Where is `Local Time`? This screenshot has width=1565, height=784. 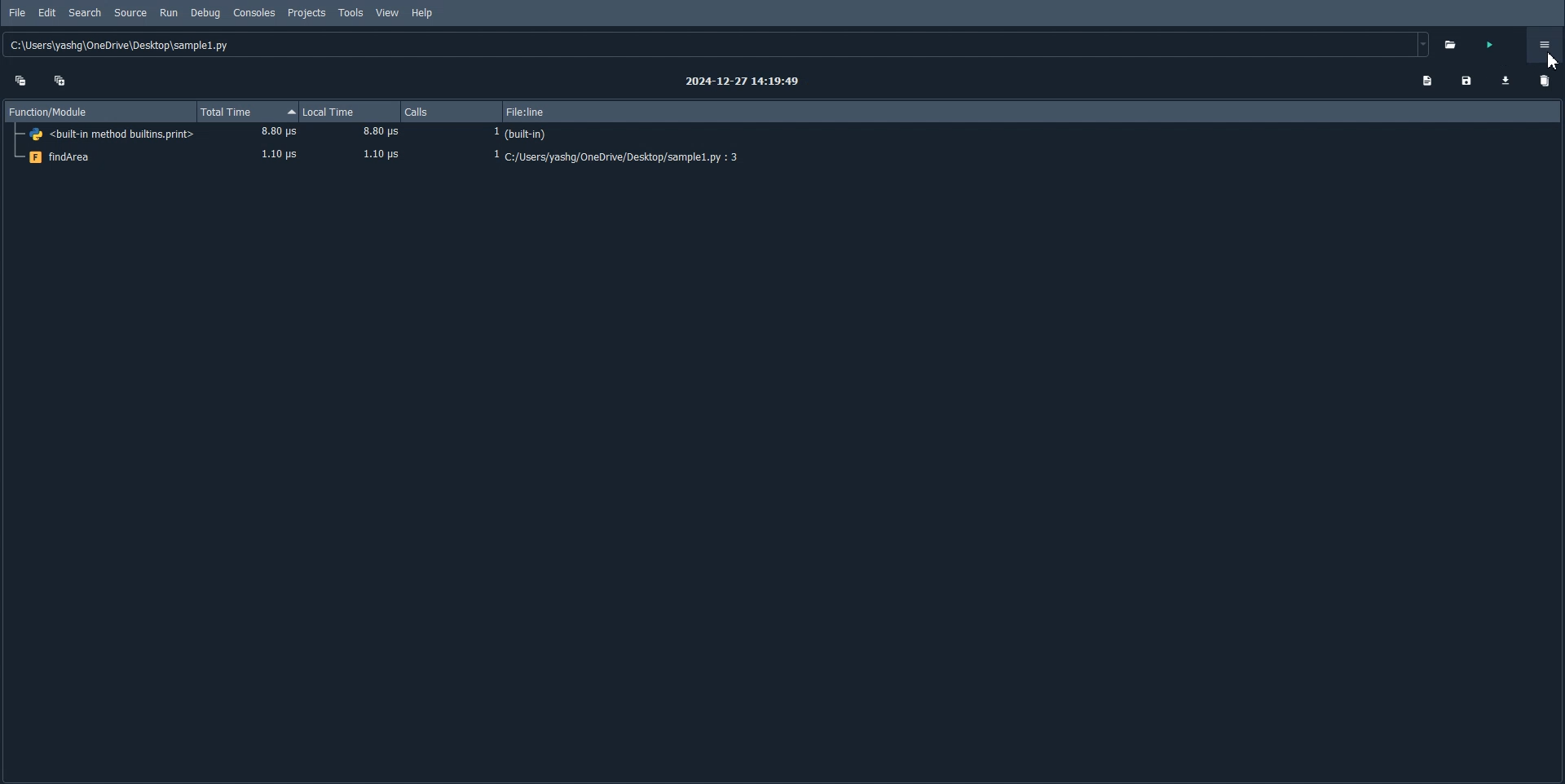 Local Time is located at coordinates (350, 112).